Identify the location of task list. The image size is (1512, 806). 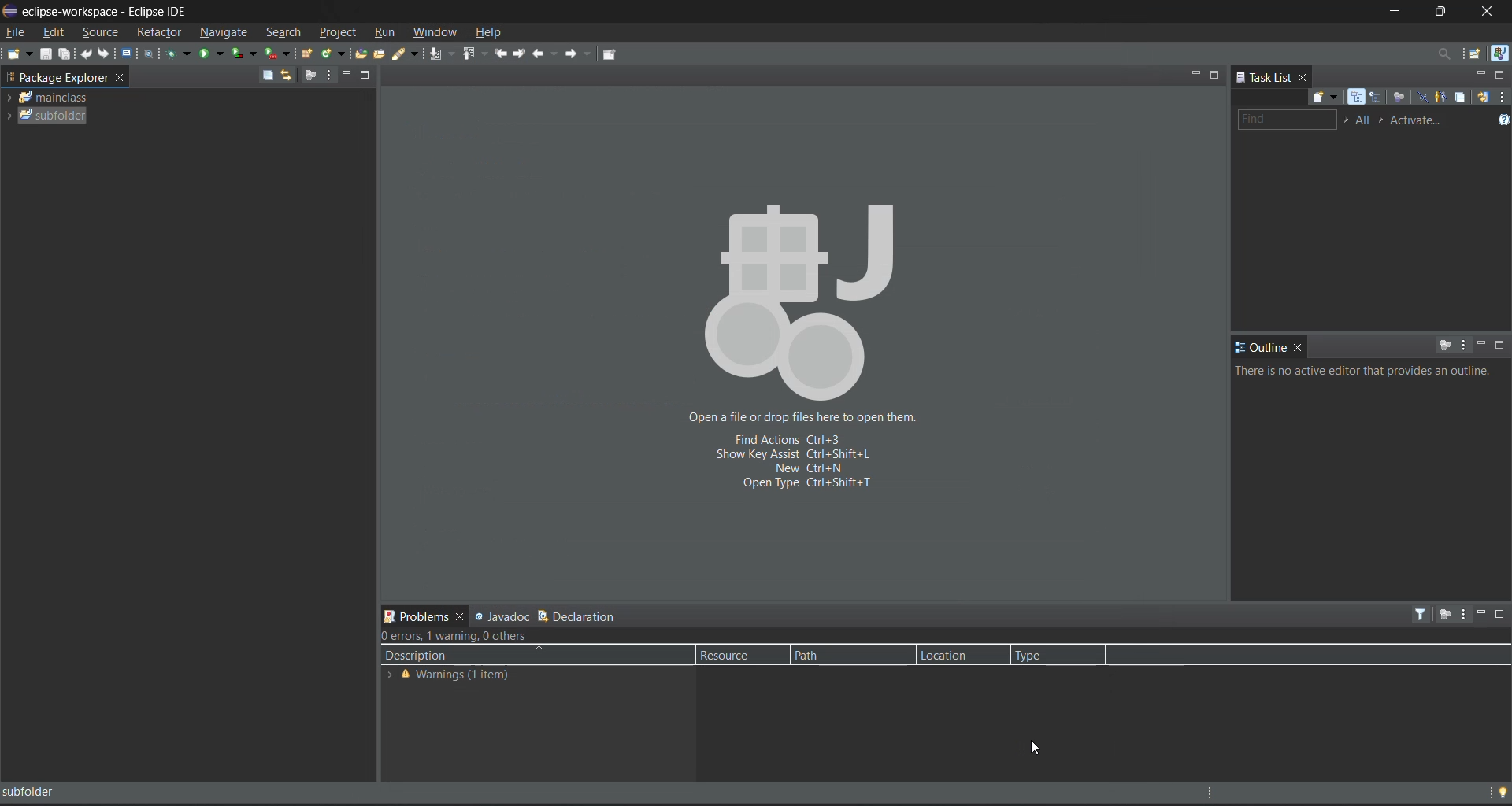
(1263, 76).